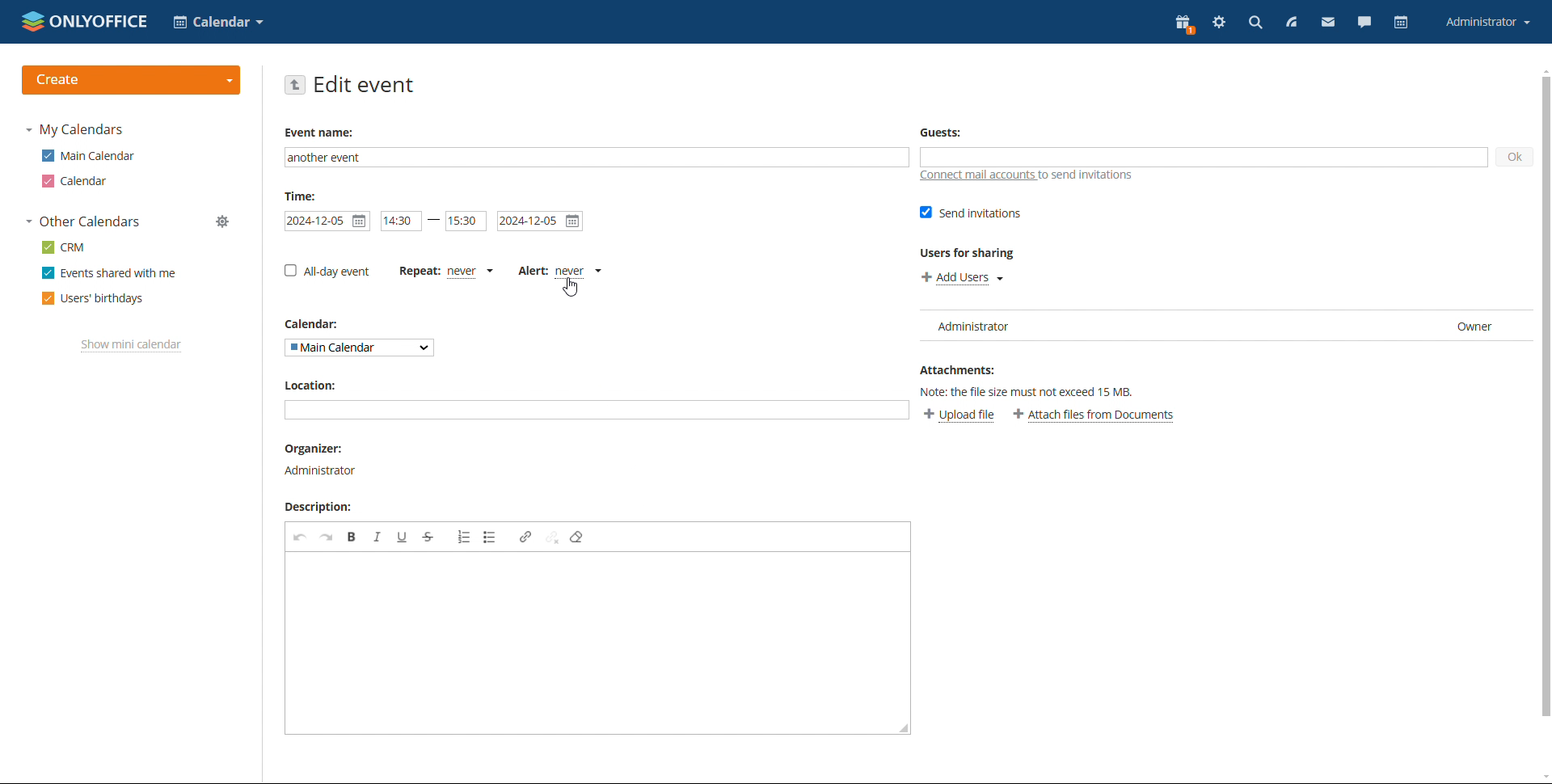 The height and width of the screenshot is (784, 1552). Describe the element at coordinates (62, 247) in the screenshot. I see `crm` at that location.